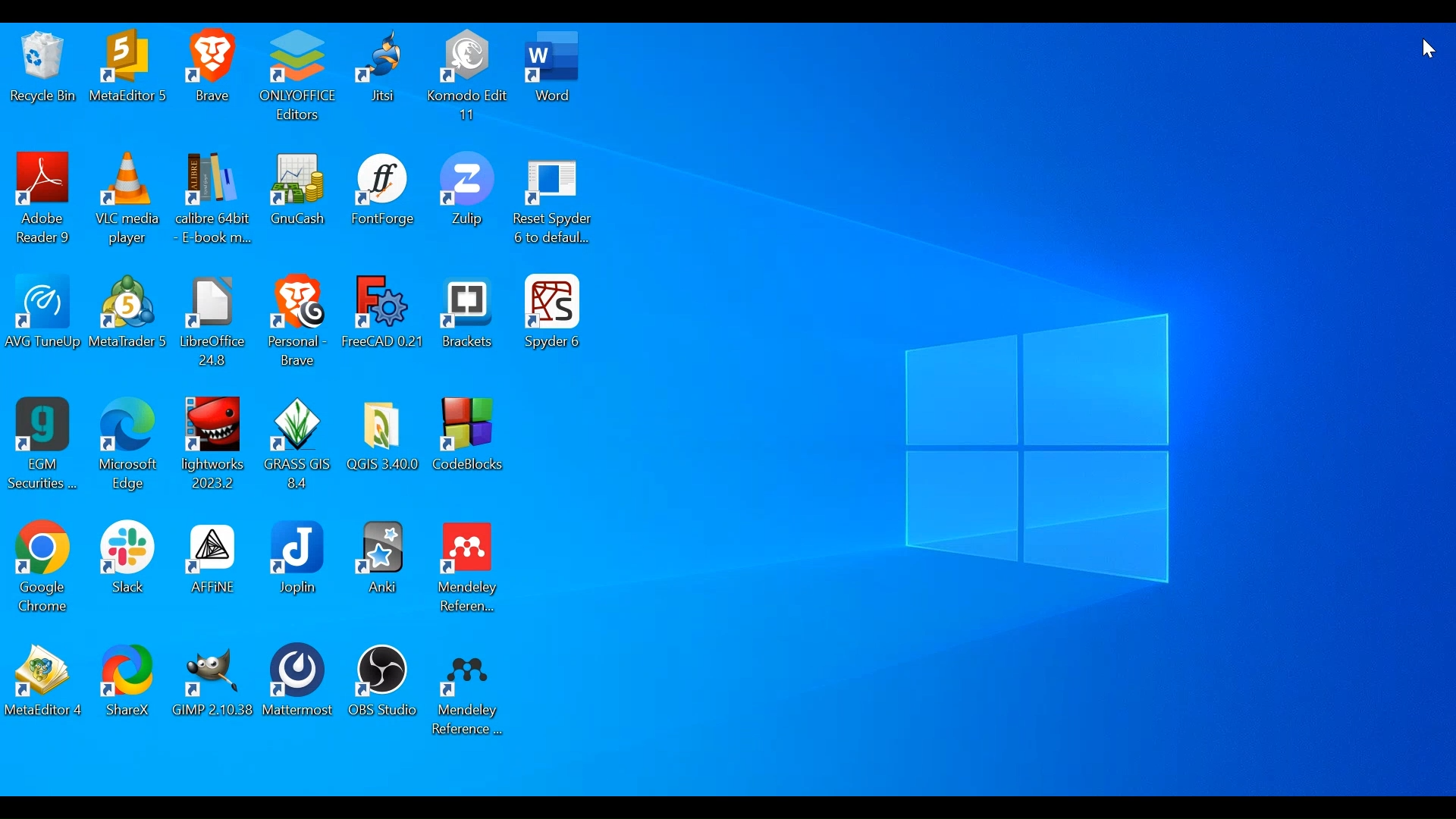  What do you see at coordinates (379, 76) in the screenshot?
I see `Jitsi ` at bounding box center [379, 76].